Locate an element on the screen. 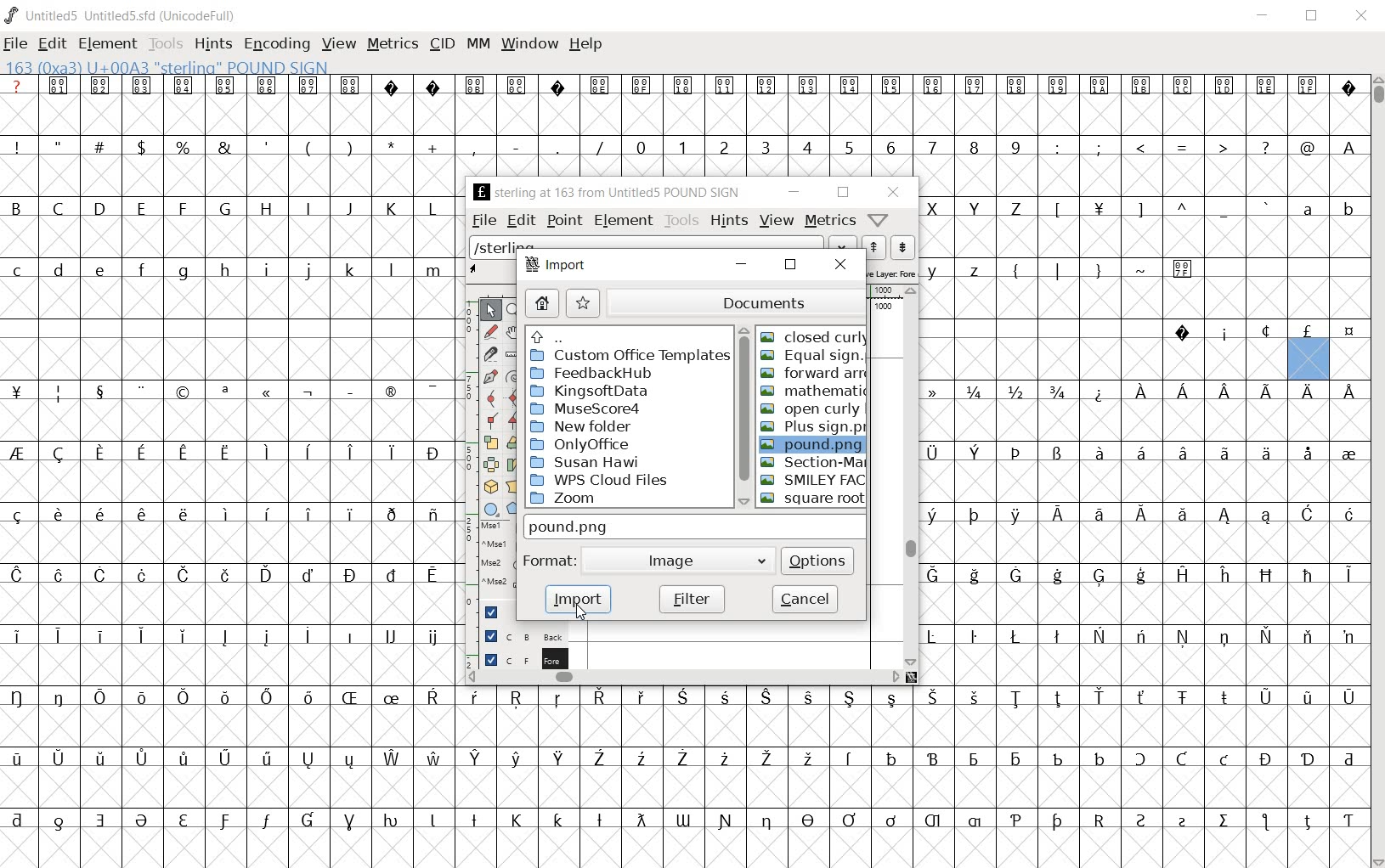 The image size is (1385, 868). Symbol is located at coordinates (100, 820).